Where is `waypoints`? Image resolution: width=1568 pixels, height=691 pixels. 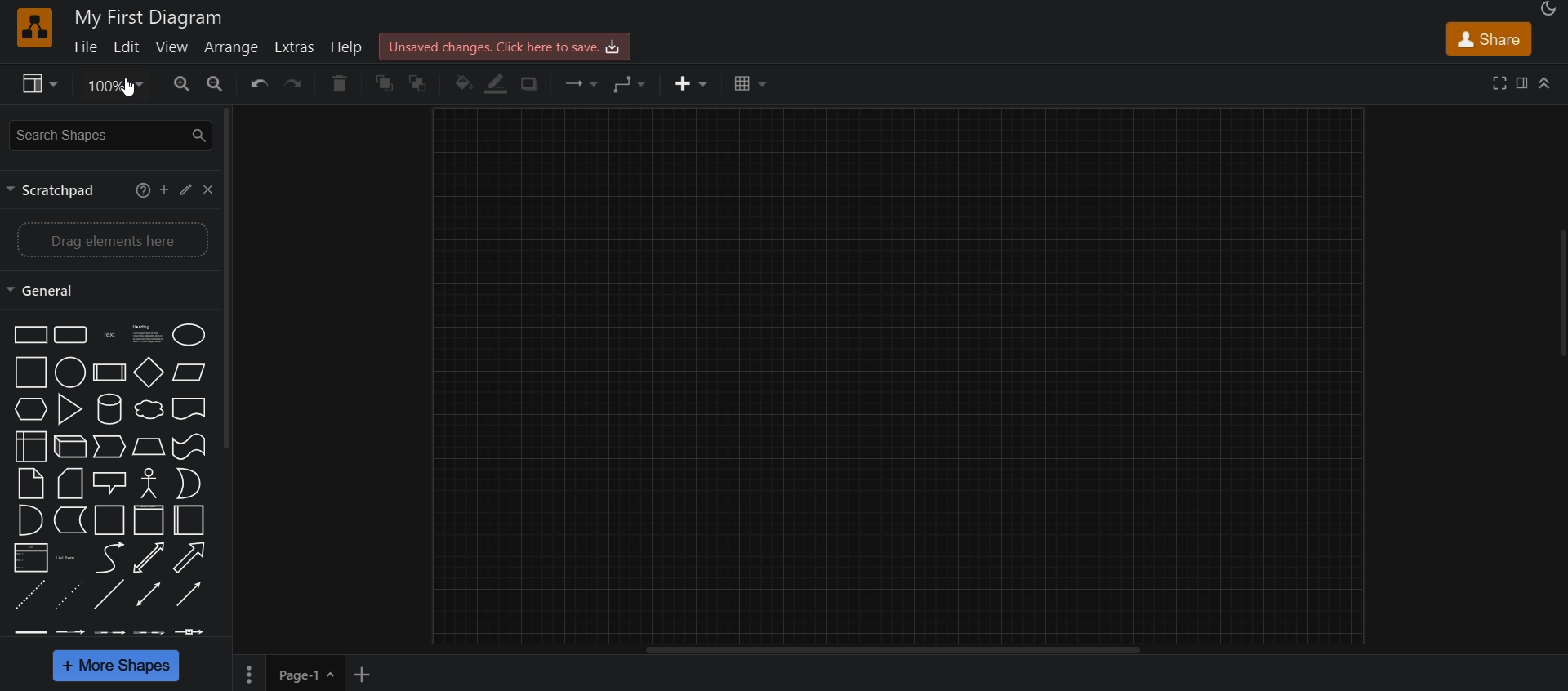
waypoints is located at coordinates (637, 84).